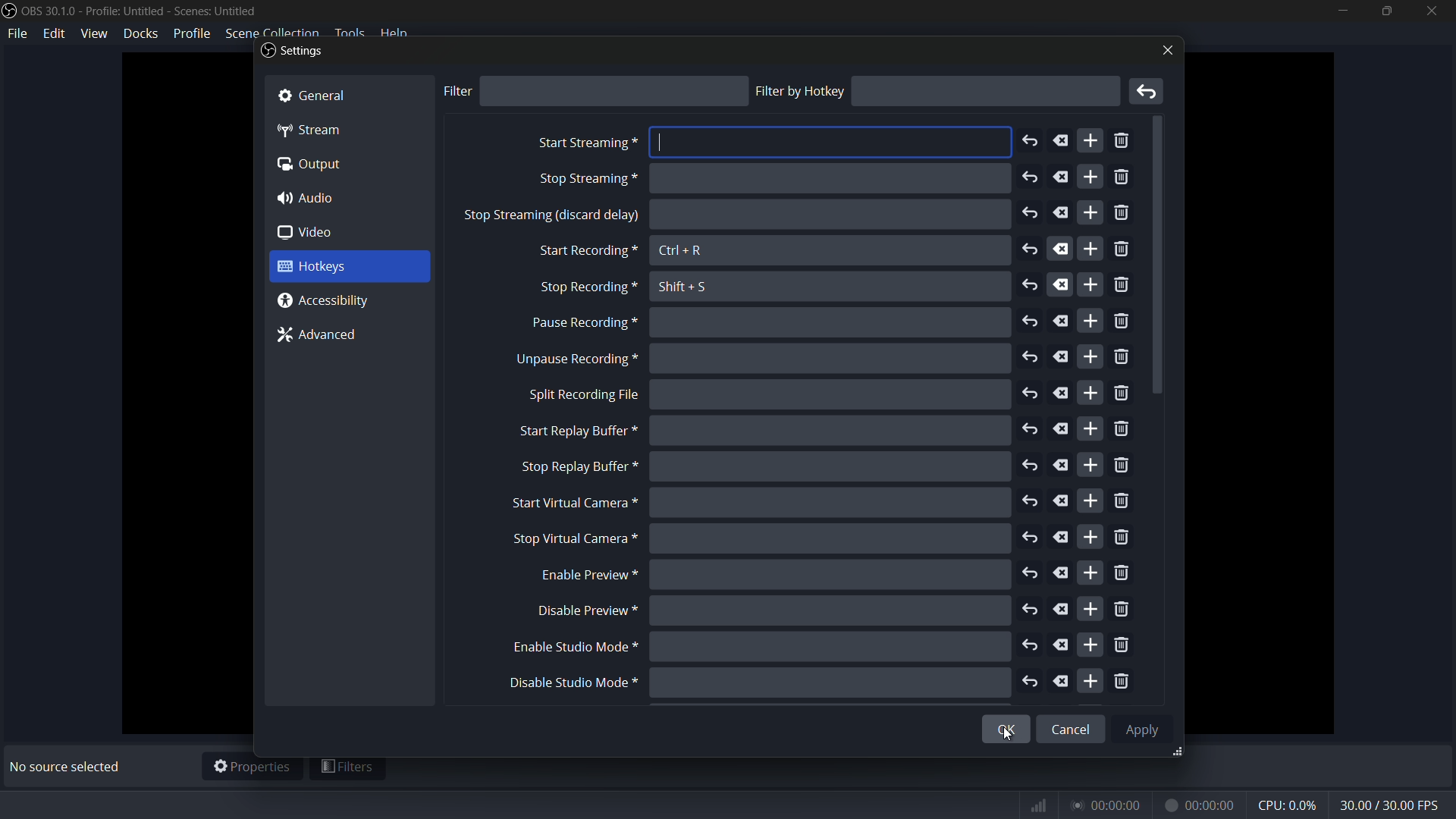 The height and width of the screenshot is (819, 1456). I want to click on undo, so click(1031, 322).